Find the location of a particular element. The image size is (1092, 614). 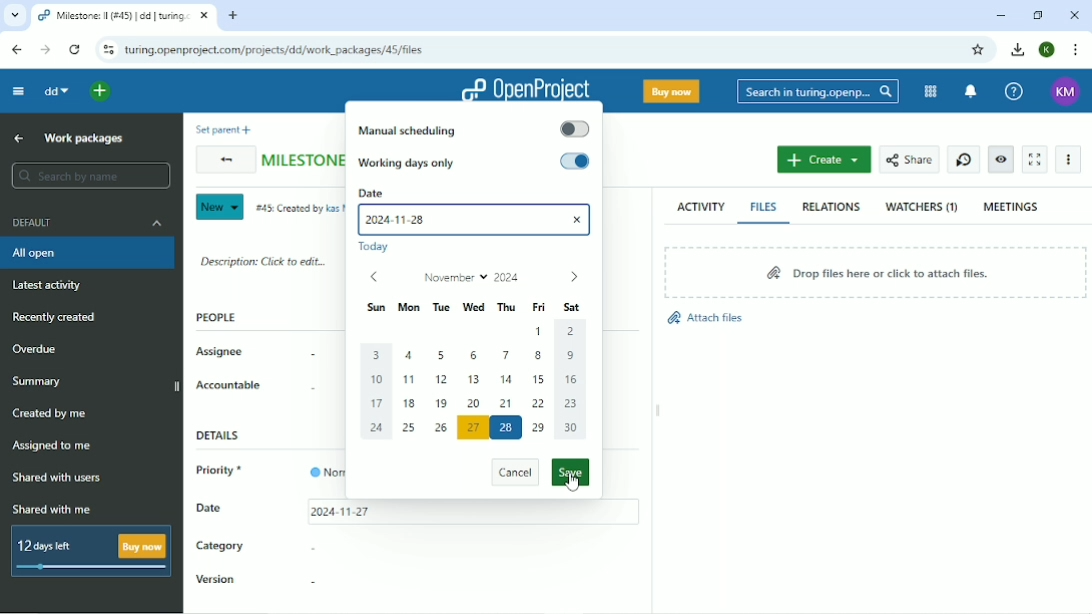

- is located at coordinates (311, 582).